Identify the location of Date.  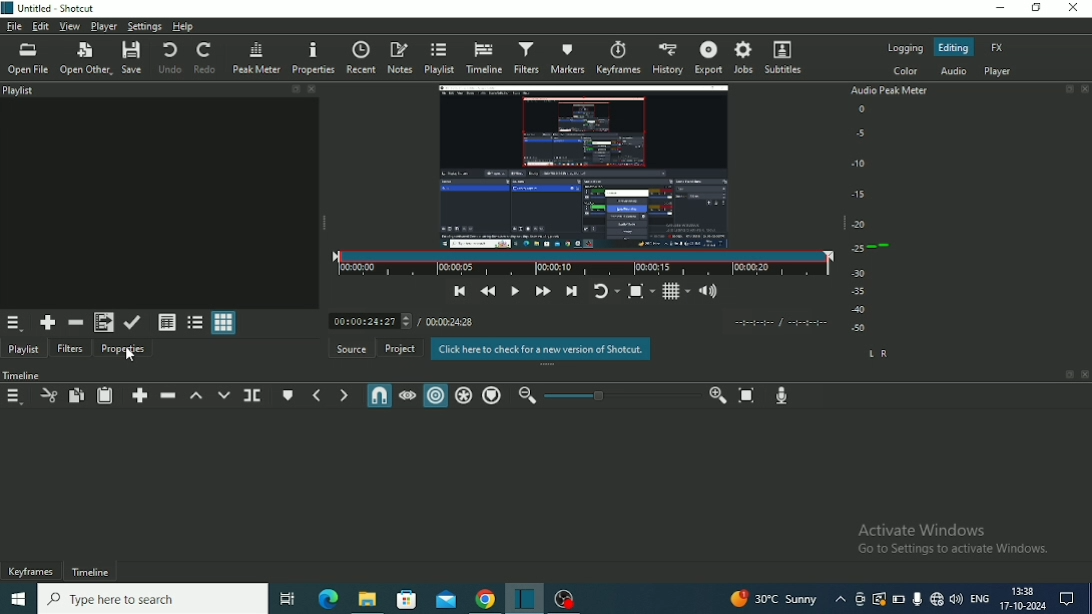
(1022, 607).